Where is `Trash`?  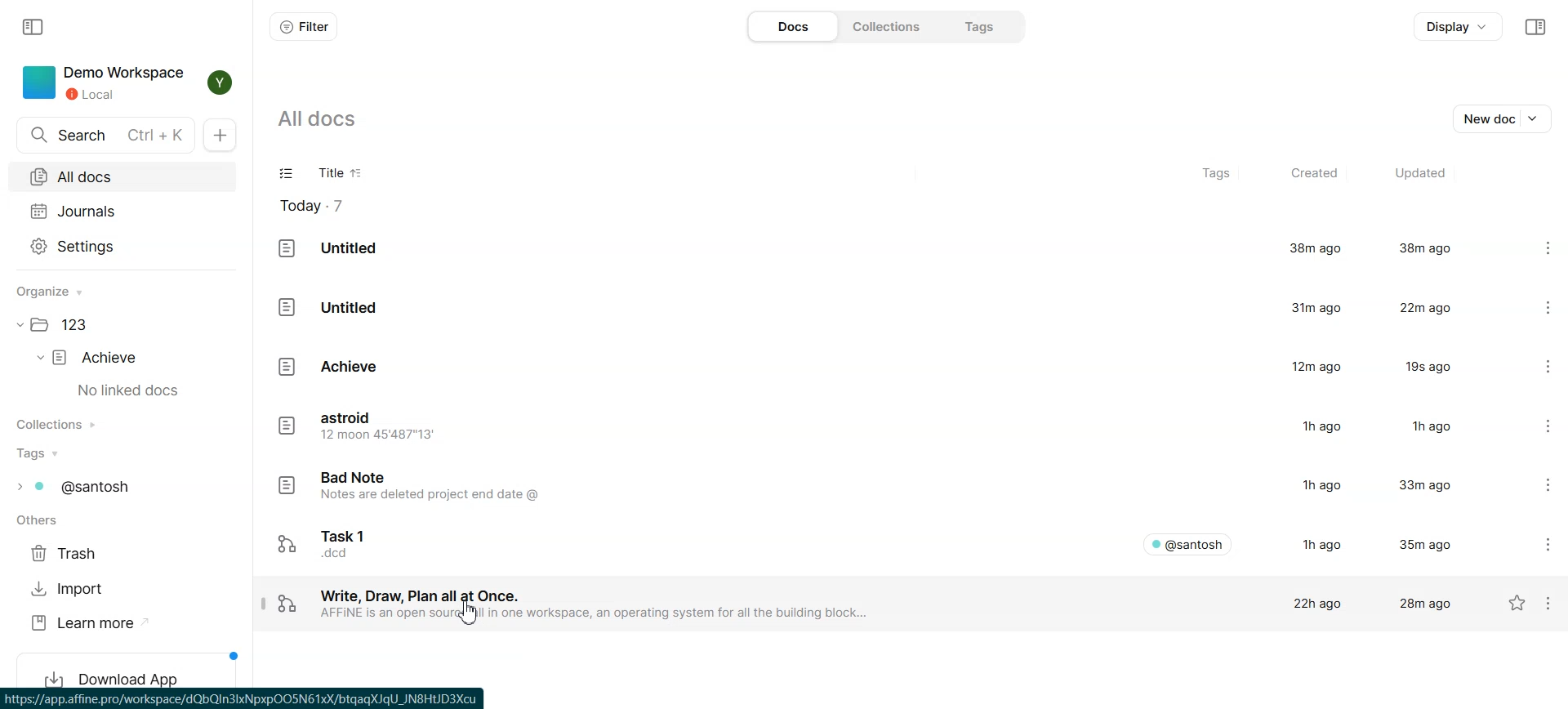
Trash is located at coordinates (69, 554).